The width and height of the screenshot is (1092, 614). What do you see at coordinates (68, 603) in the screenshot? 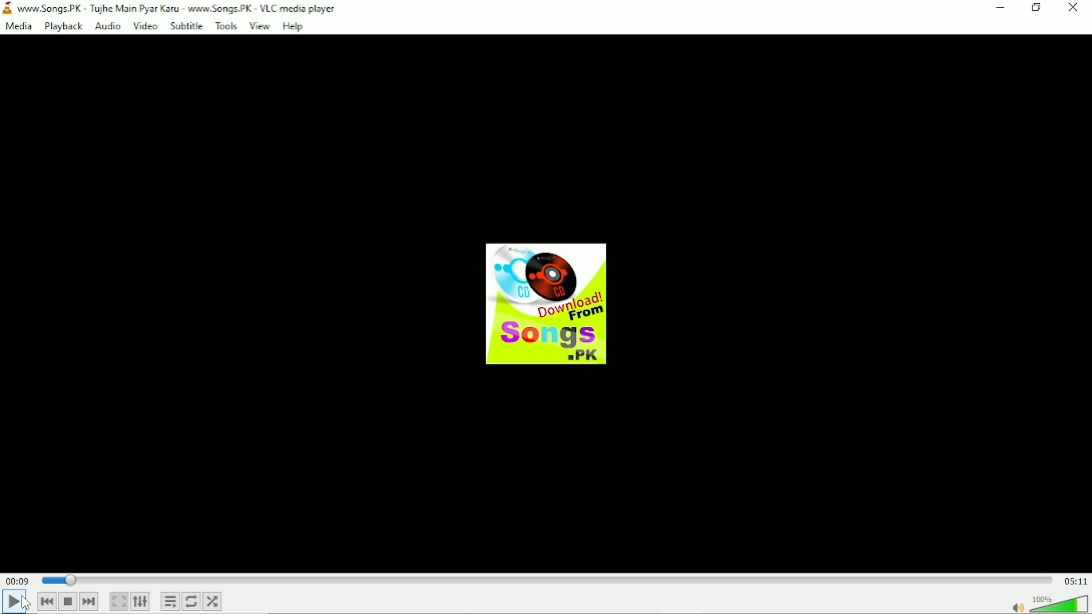
I see `Stop playback` at bounding box center [68, 603].